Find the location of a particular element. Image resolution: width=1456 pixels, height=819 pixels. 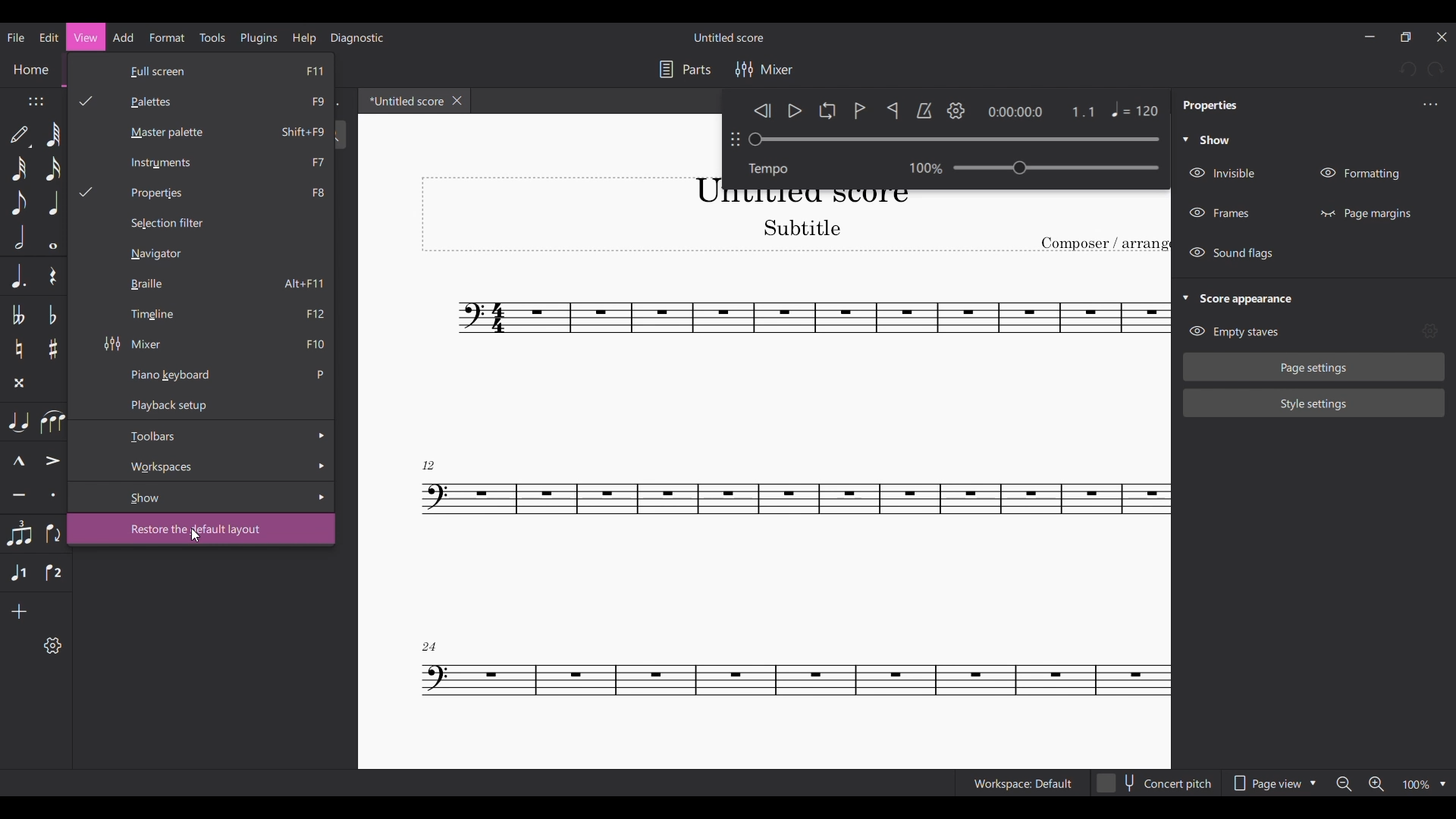

Default is located at coordinates (20, 136).